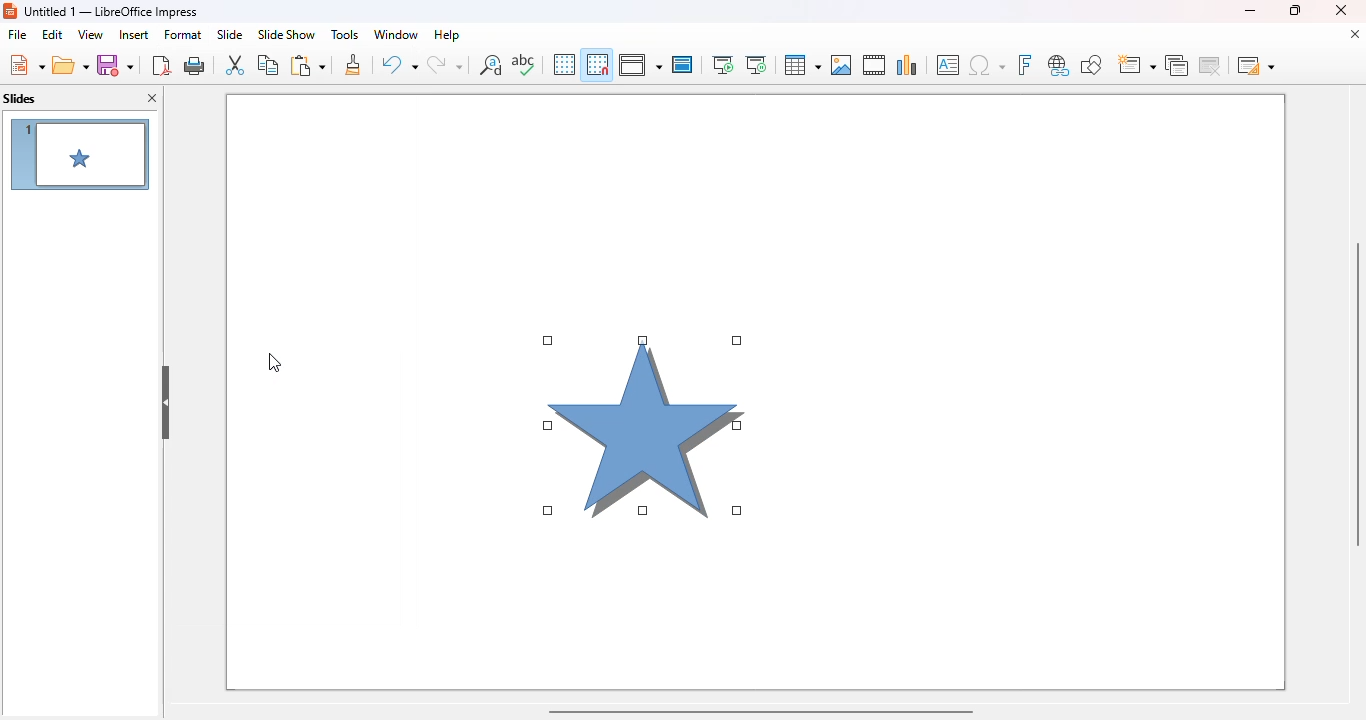 The image size is (1366, 720). Describe the element at coordinates (268, 64) in the screenshot. I see `copy` at that location.